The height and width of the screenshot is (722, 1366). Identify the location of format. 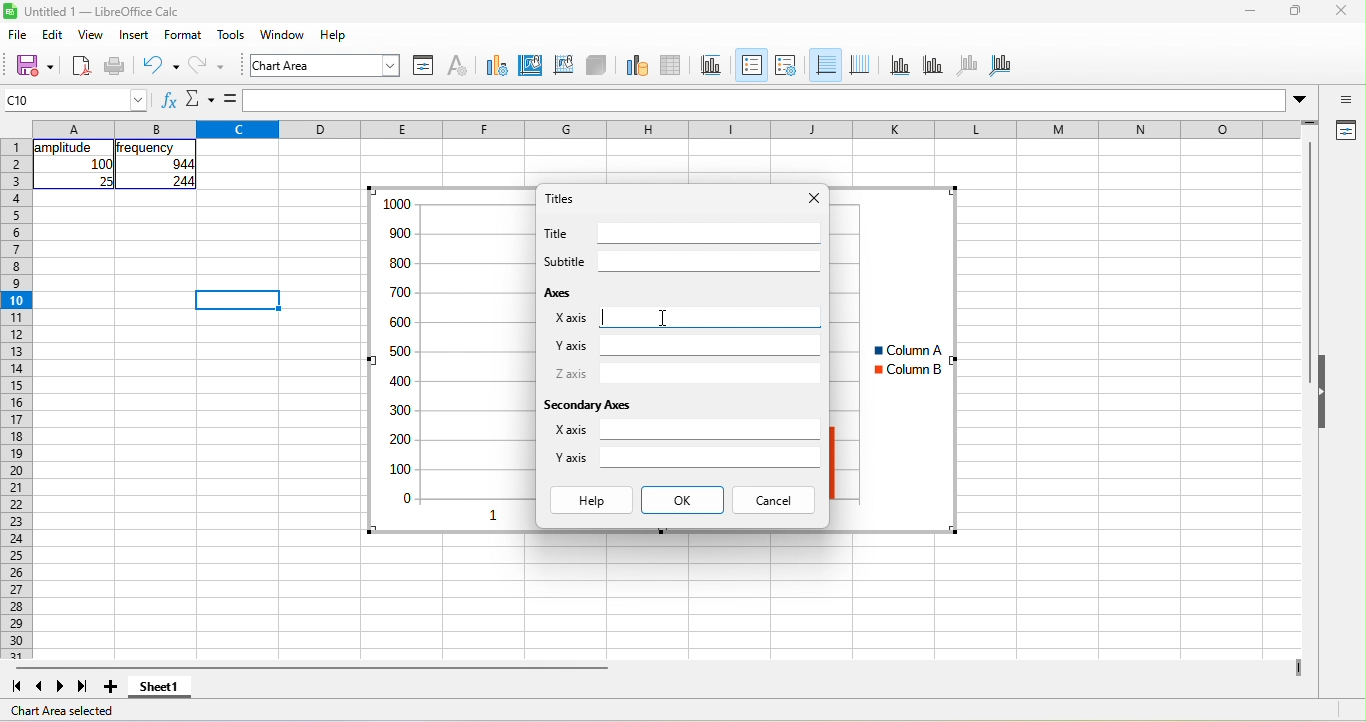
(183, 34).